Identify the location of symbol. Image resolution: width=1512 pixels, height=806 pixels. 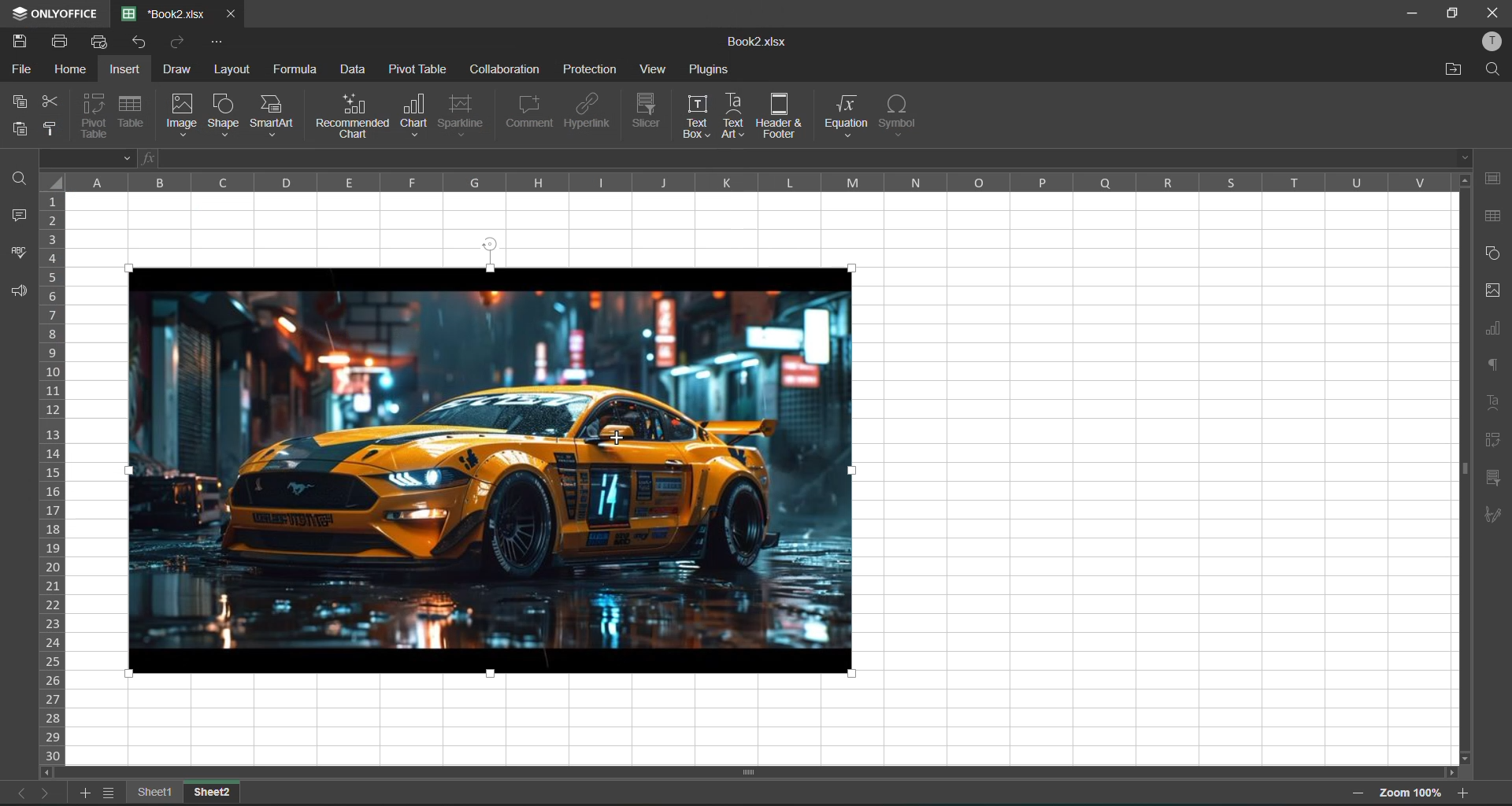
(897, 116).